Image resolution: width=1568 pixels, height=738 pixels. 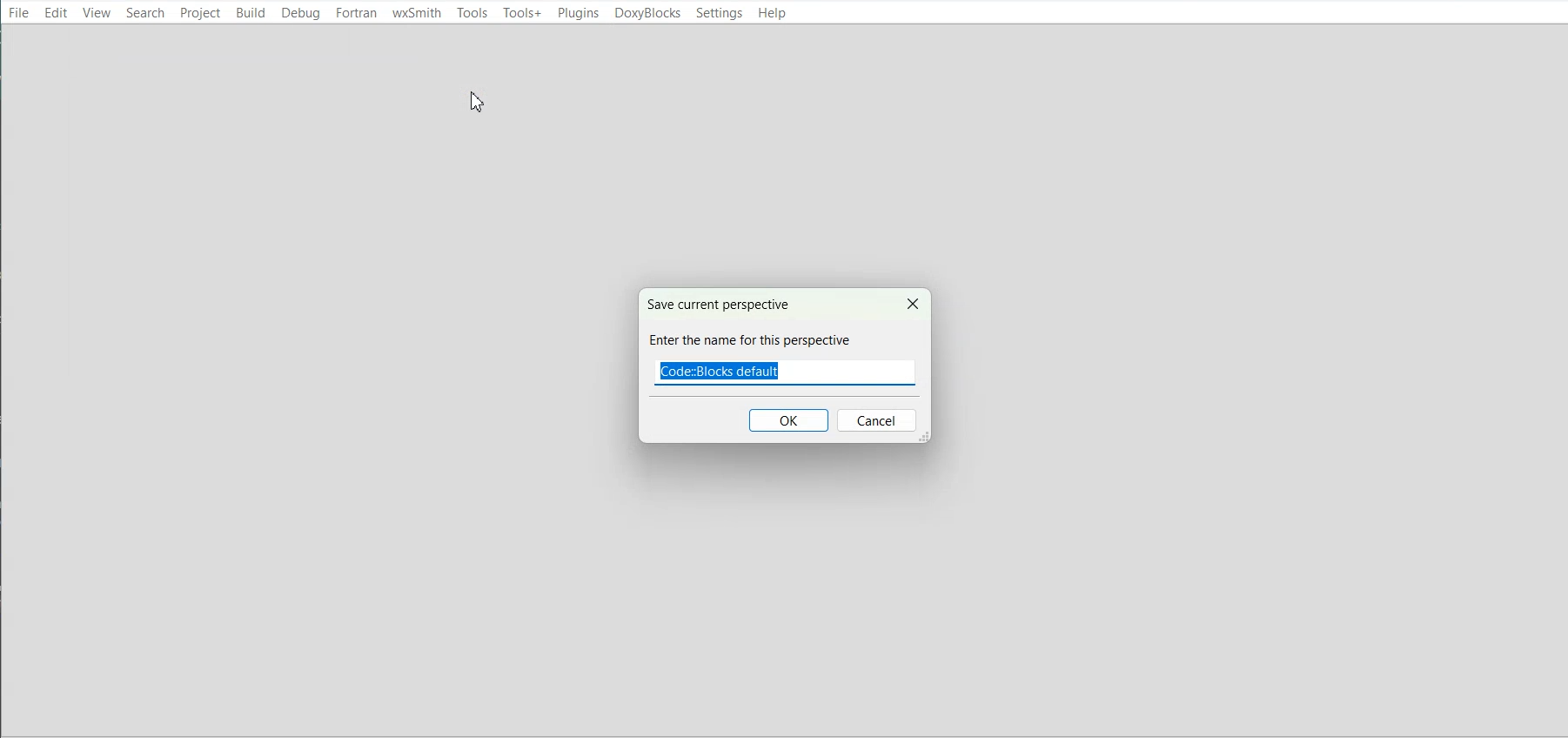 What do you see at coordinates (878, 421) in the screenshot?
I see `Cancel` at bounding box center [878, 421].